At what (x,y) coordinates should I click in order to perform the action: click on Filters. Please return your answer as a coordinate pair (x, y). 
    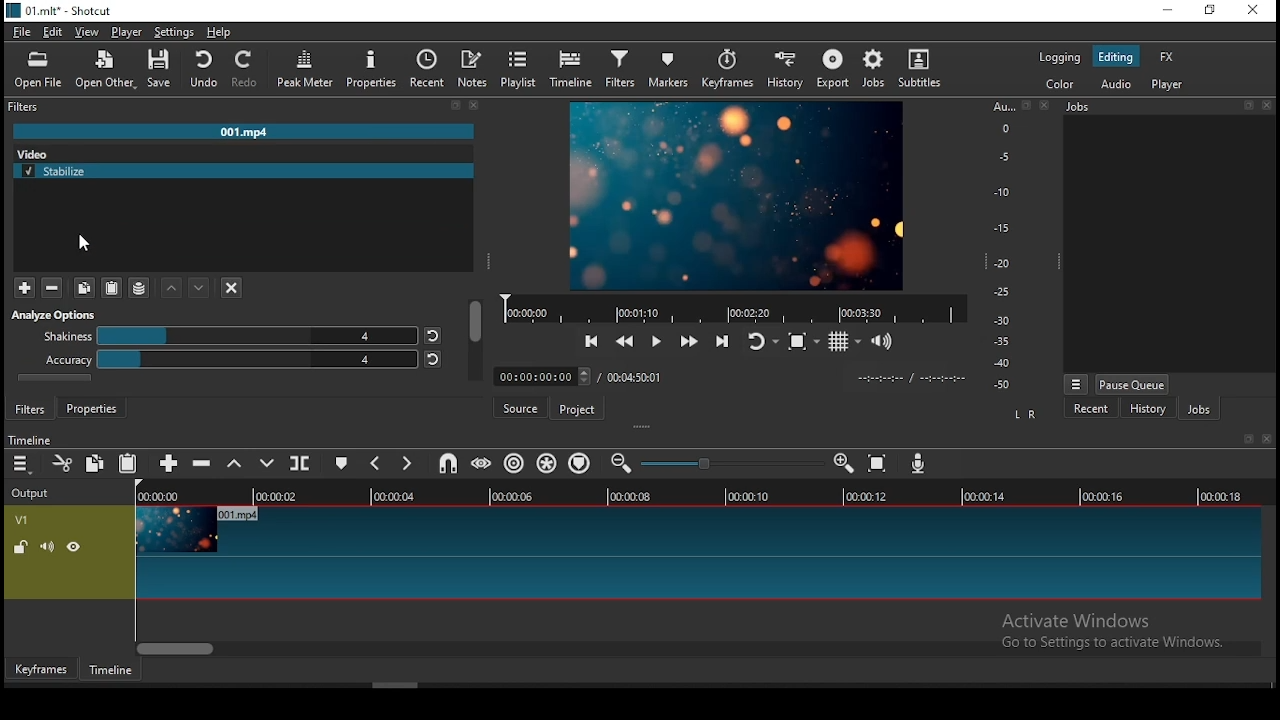
    Looking at the image, I should click on (23, 108).